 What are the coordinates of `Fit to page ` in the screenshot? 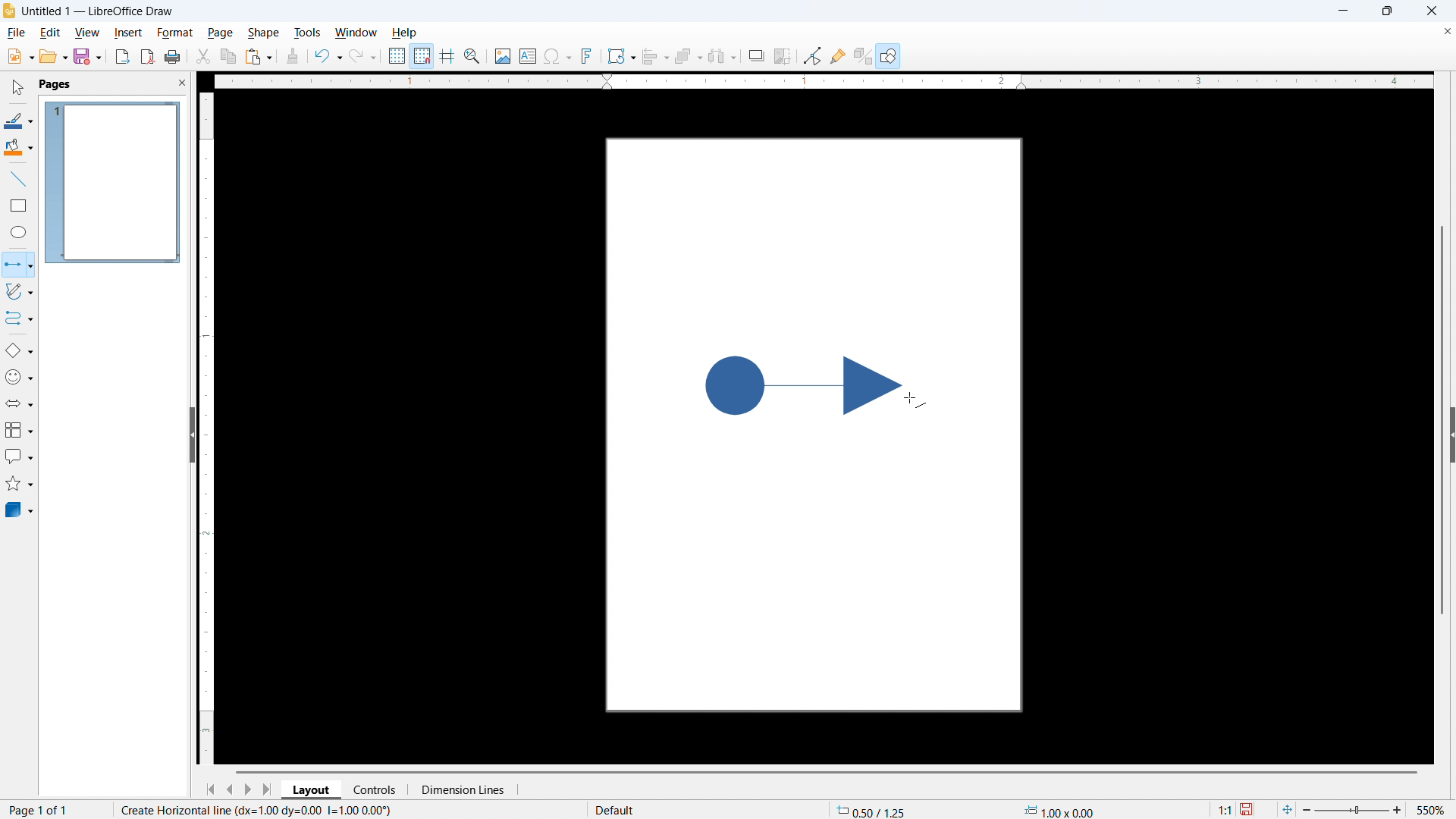 It's located at (1287, 808).